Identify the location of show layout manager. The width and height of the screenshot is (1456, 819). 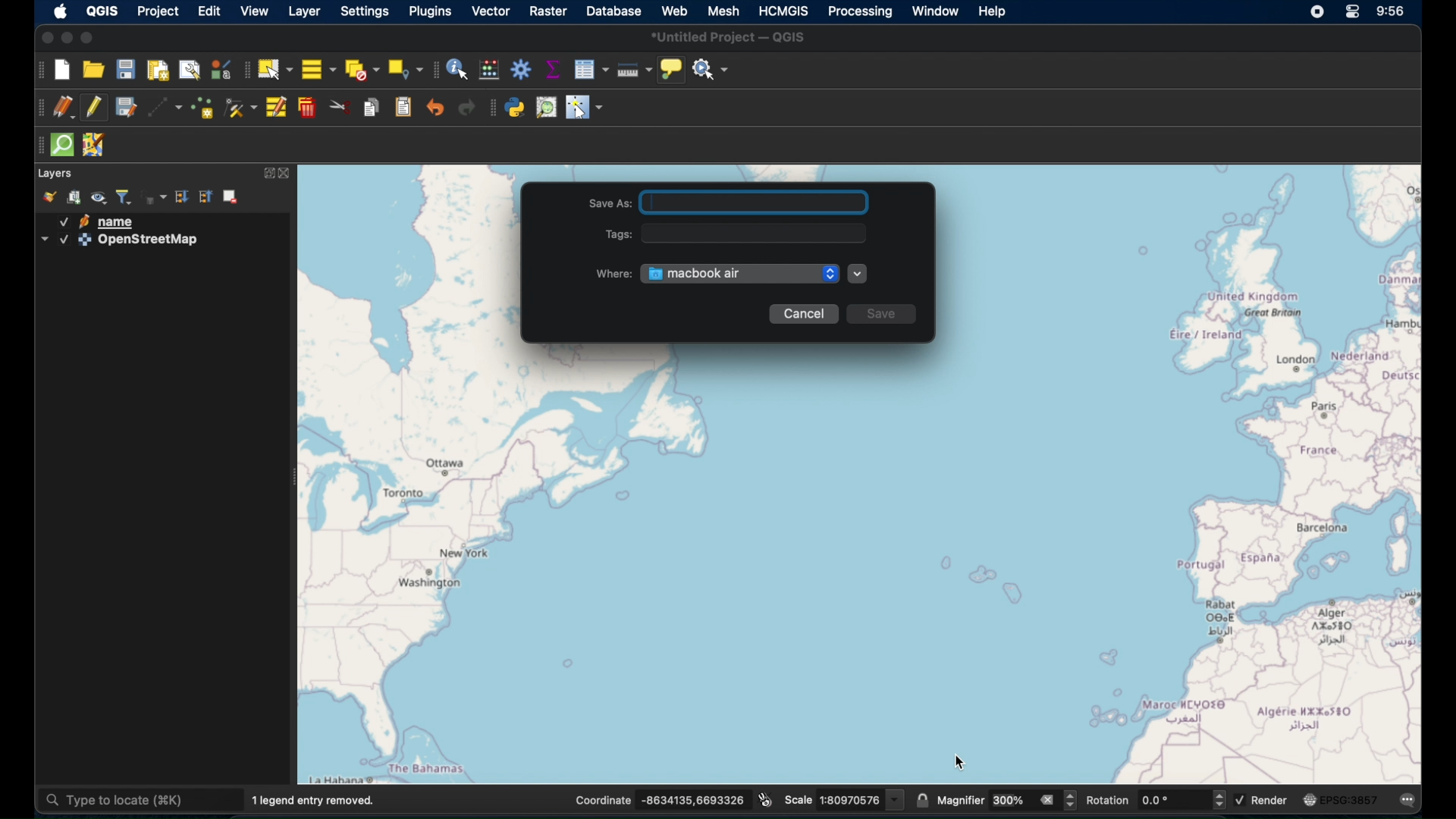
(190, 69).